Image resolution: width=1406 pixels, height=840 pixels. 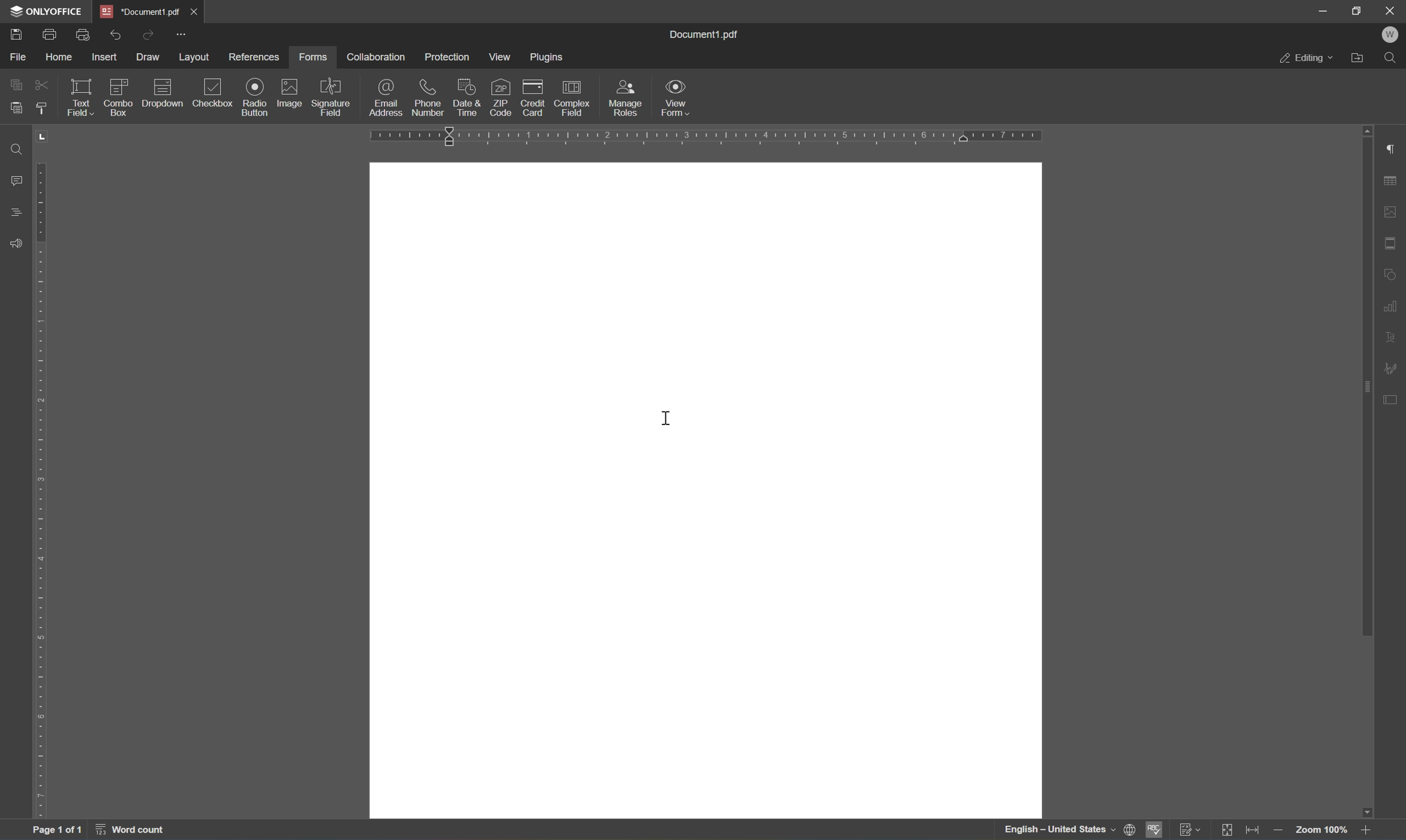 I want to click on protection, so click(x=450, y=59).